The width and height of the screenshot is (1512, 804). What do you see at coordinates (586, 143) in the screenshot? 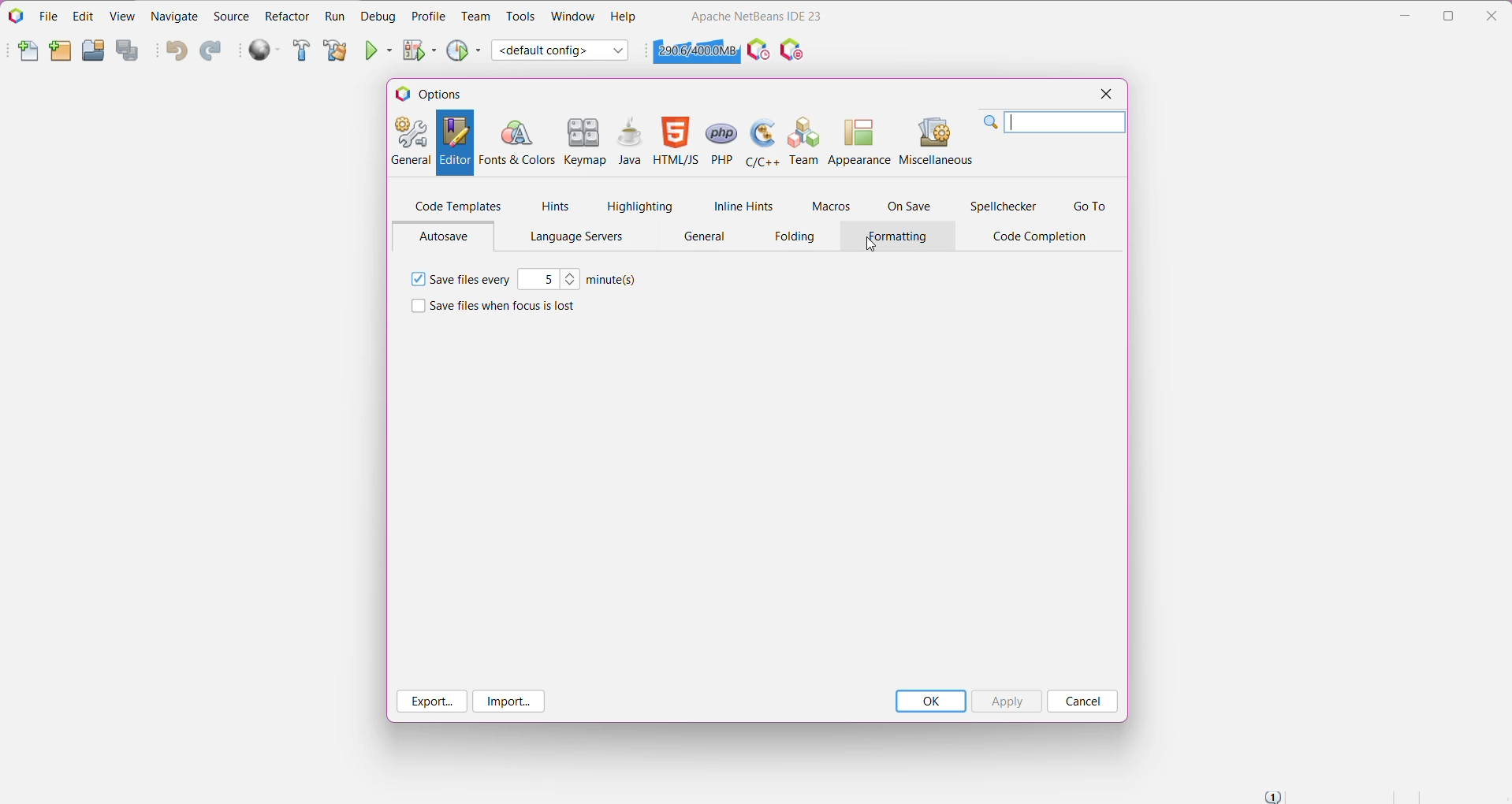
I see `Keymap` at bounding box center [586, 143].